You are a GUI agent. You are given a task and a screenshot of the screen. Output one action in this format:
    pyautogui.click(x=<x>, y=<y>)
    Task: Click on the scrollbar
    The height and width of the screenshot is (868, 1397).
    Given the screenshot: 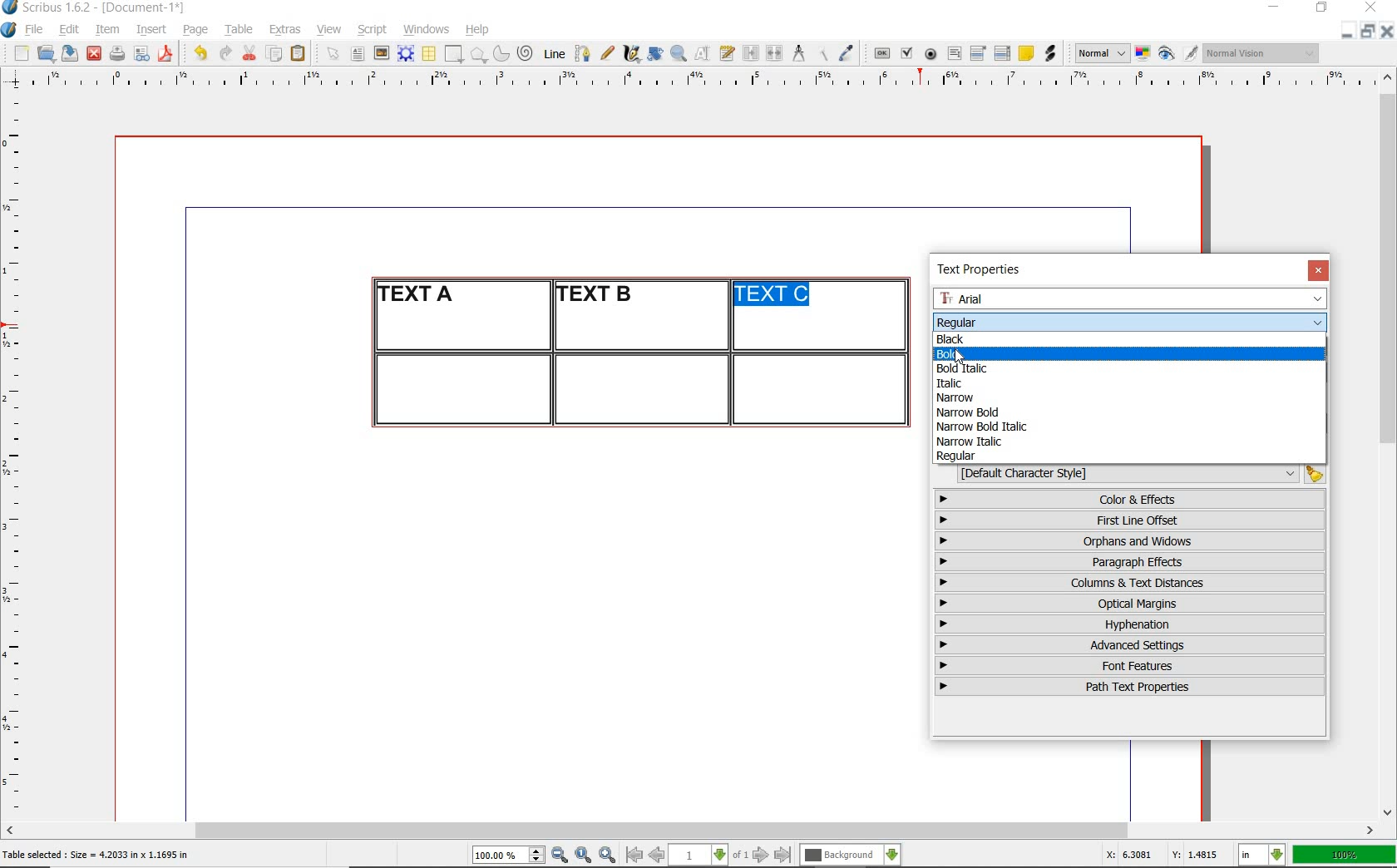 What is the action you would take?
    pyautogui.click(x=690, y=832)
    